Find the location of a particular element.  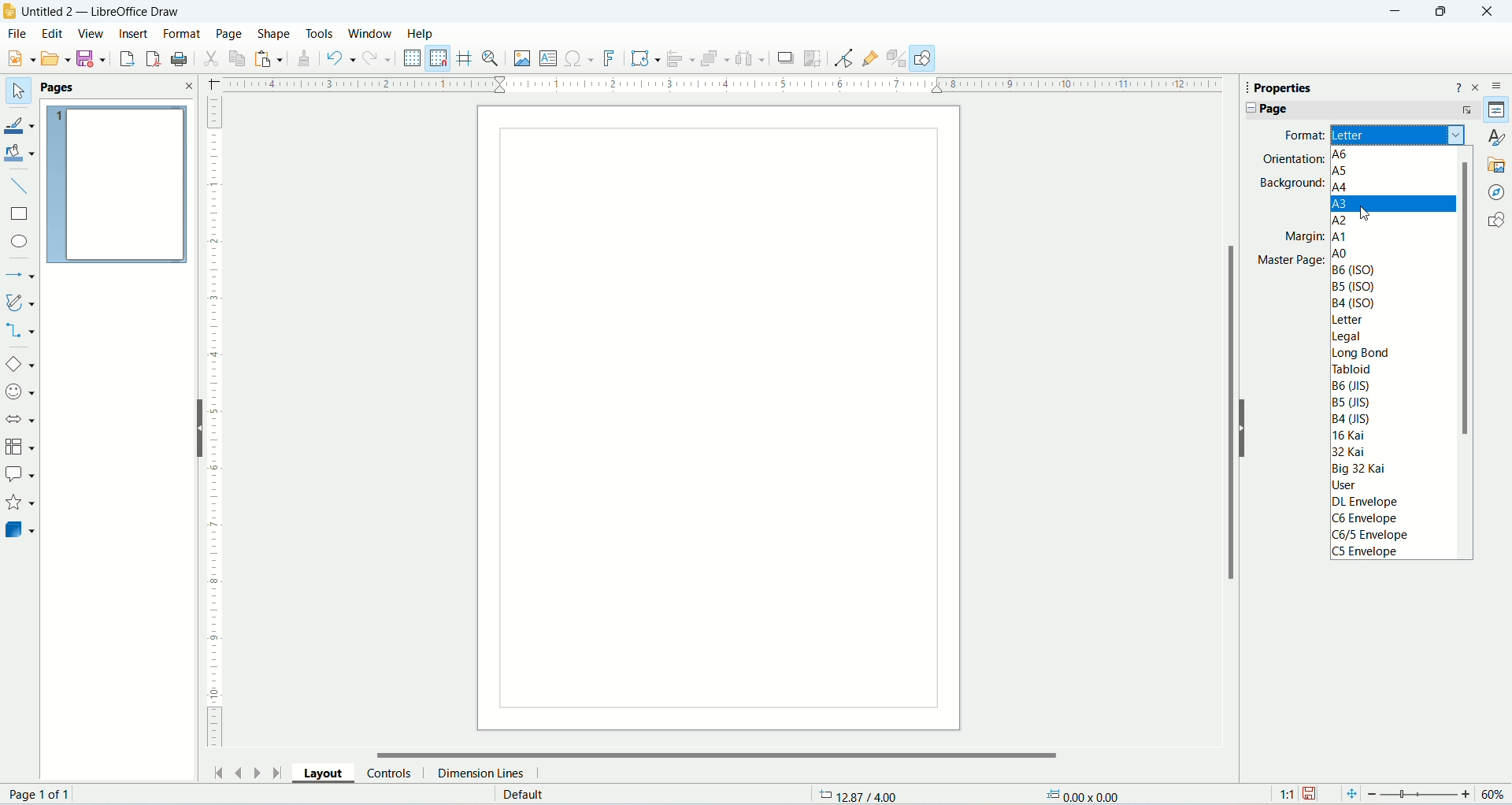

symbol shapes is located at coordinates (20, 392).